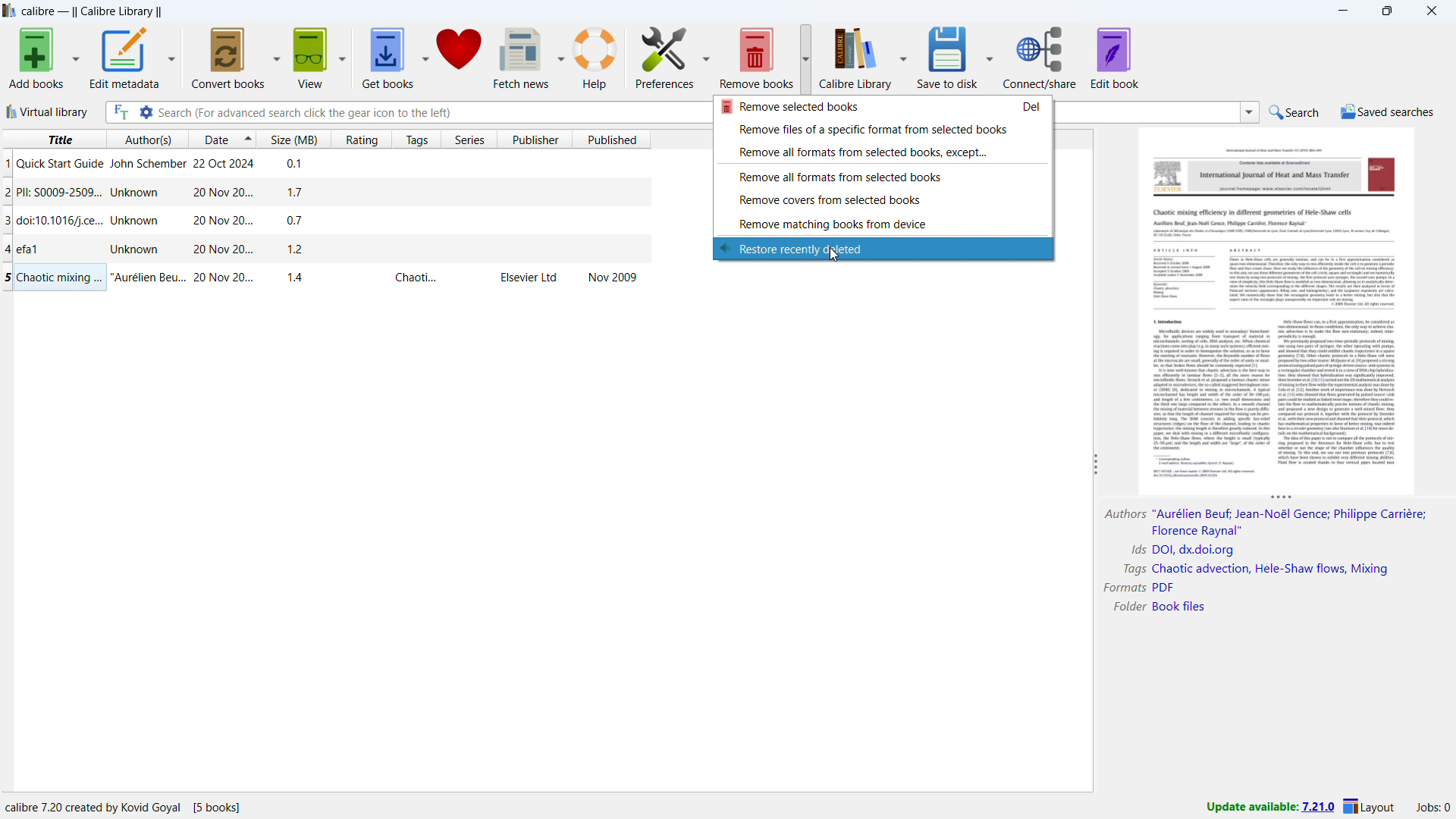 This screenshot has width=1456, height=819. Describe the element at coordinates (946, 56) in the screenshot. I see `save to disk` at that location.